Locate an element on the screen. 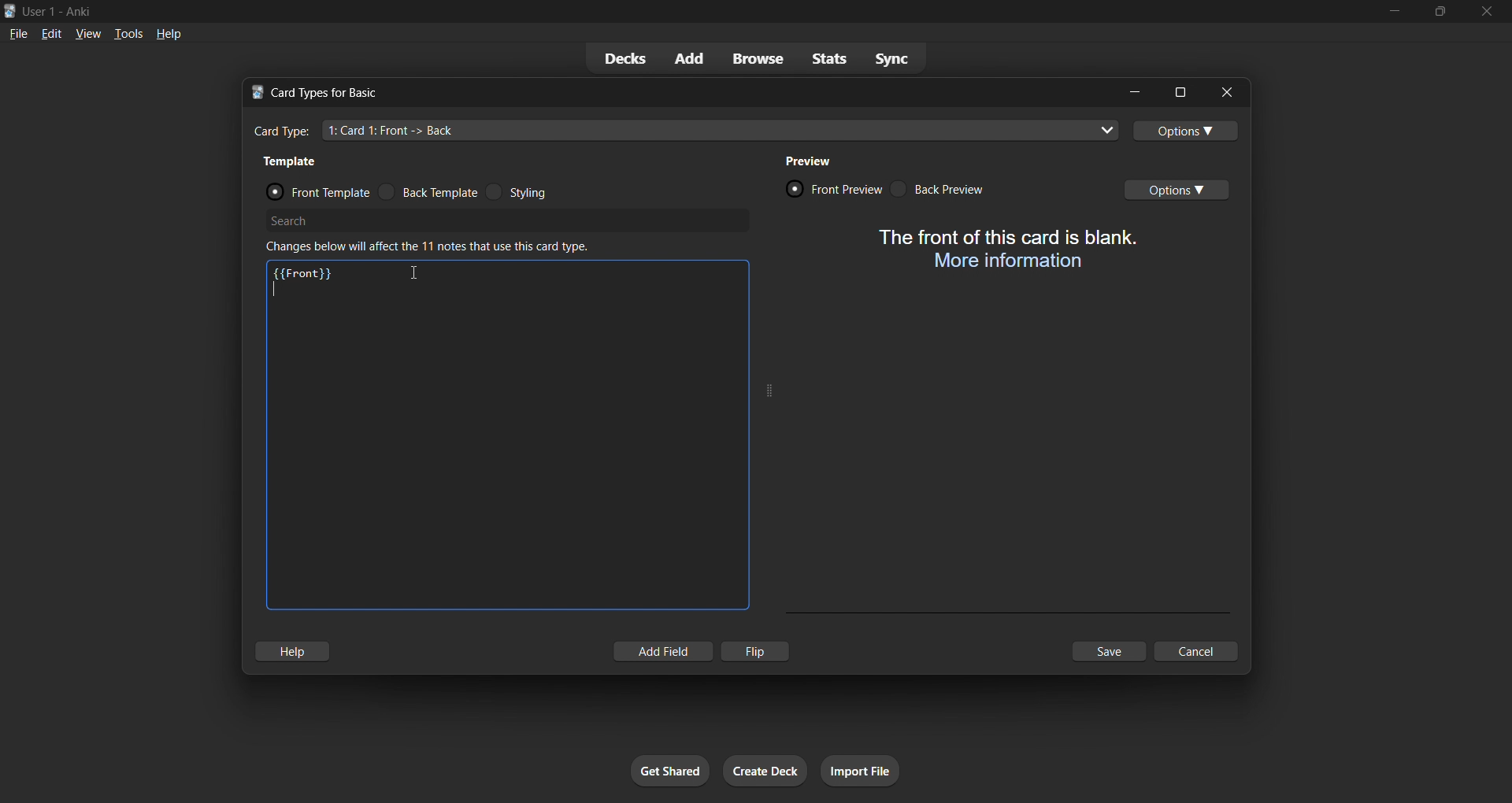 This screenshot has height=803, width=1512. sync is located at coordinates (889, 60).